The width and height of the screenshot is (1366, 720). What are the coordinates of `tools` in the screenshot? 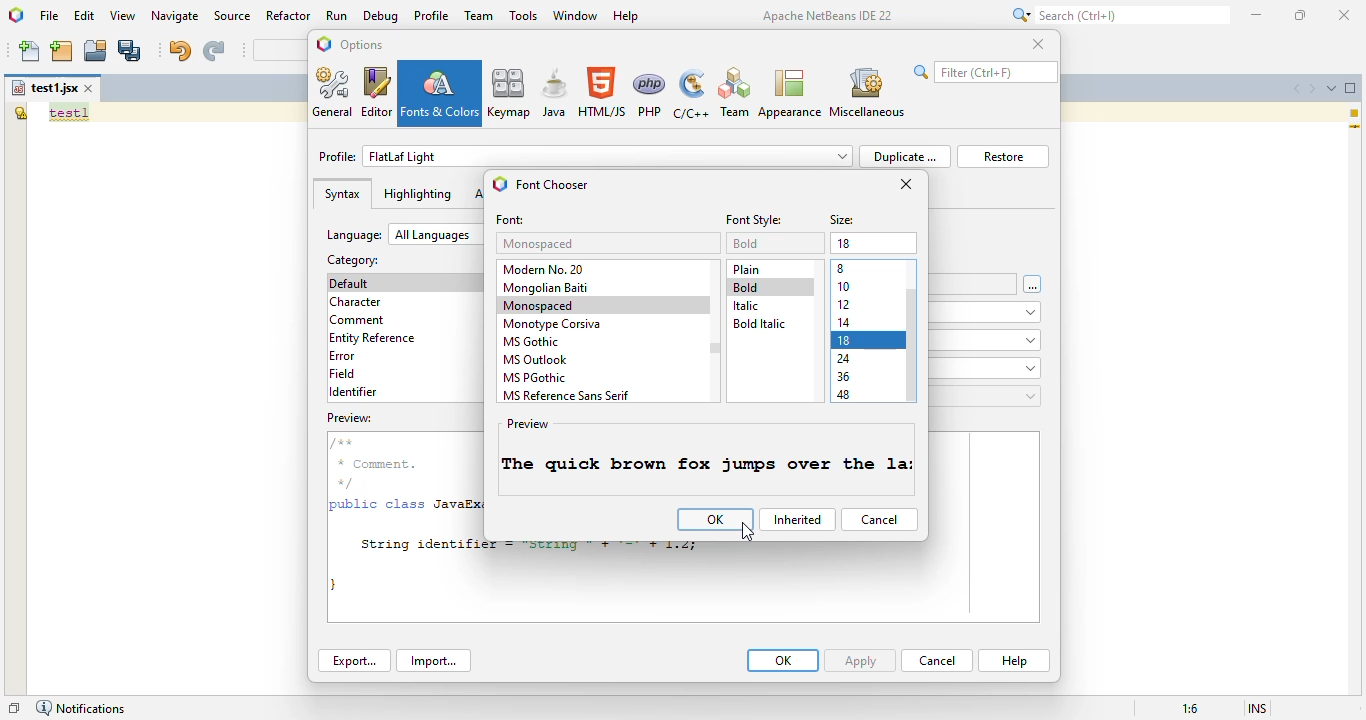 It's located at (523, 16).